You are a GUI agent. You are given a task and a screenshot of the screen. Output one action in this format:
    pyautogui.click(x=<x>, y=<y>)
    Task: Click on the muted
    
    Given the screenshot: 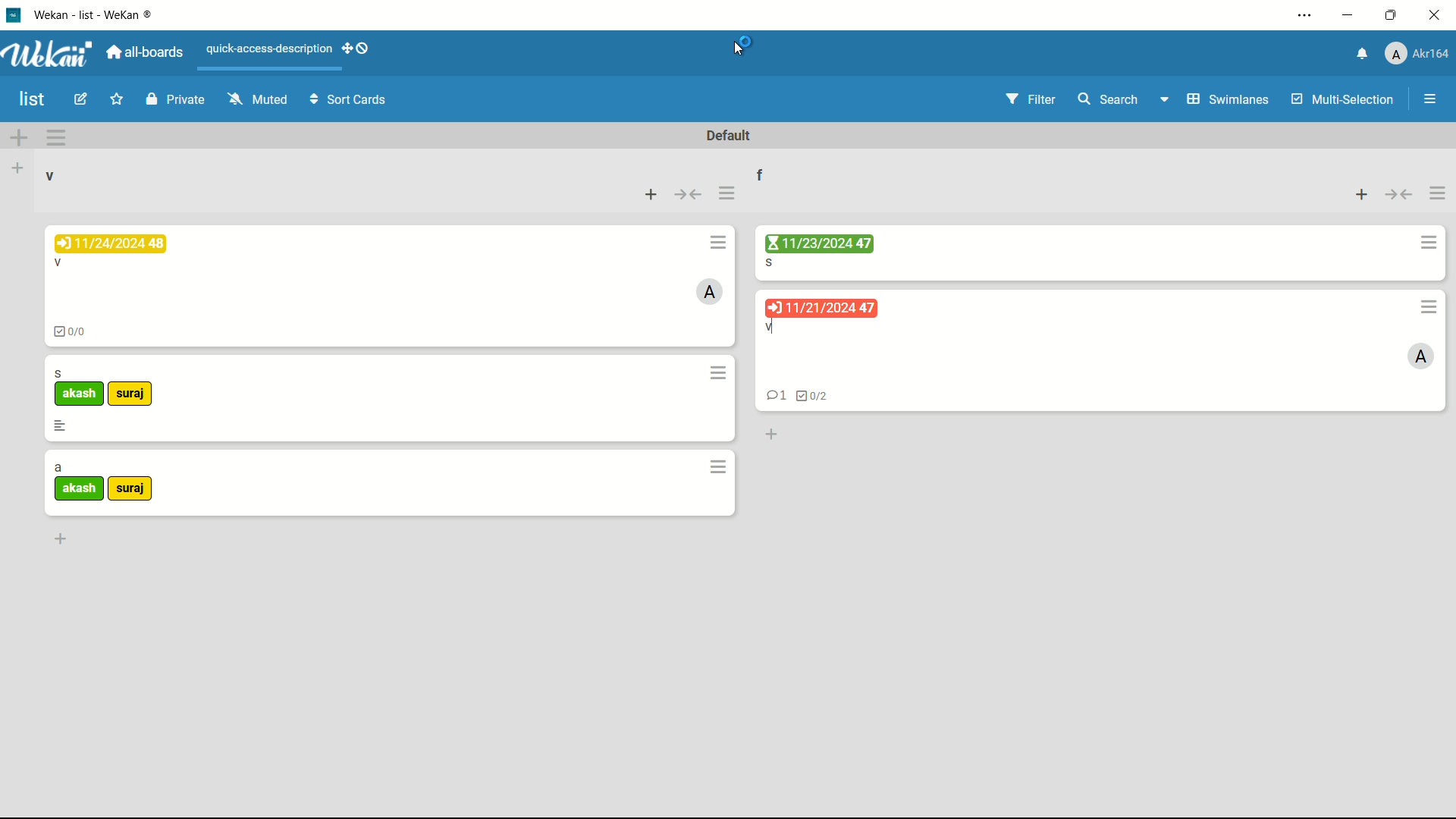 What is the action you would take?
    pyautogui.click(x=260, y=98)
    